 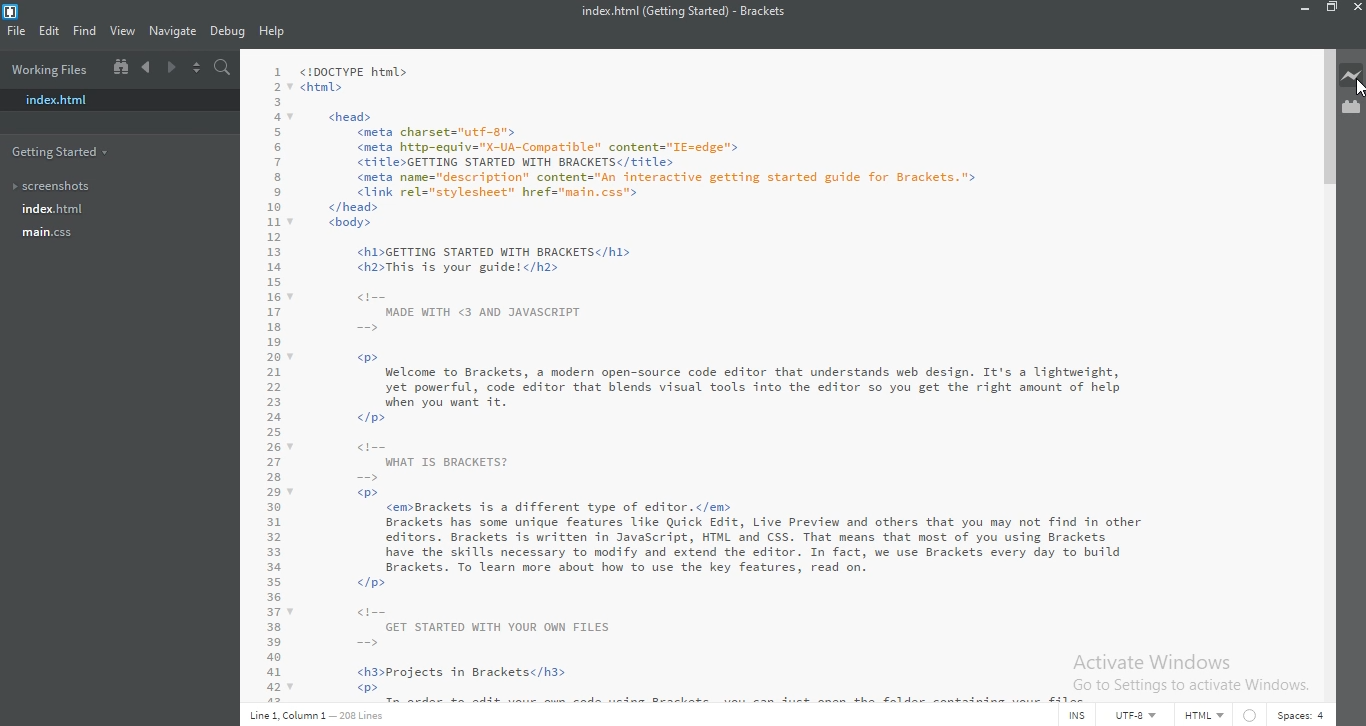 What do you see at coordinates (683, 10) in the screenshot?
I see `file name` at bounding box center [683, 10].